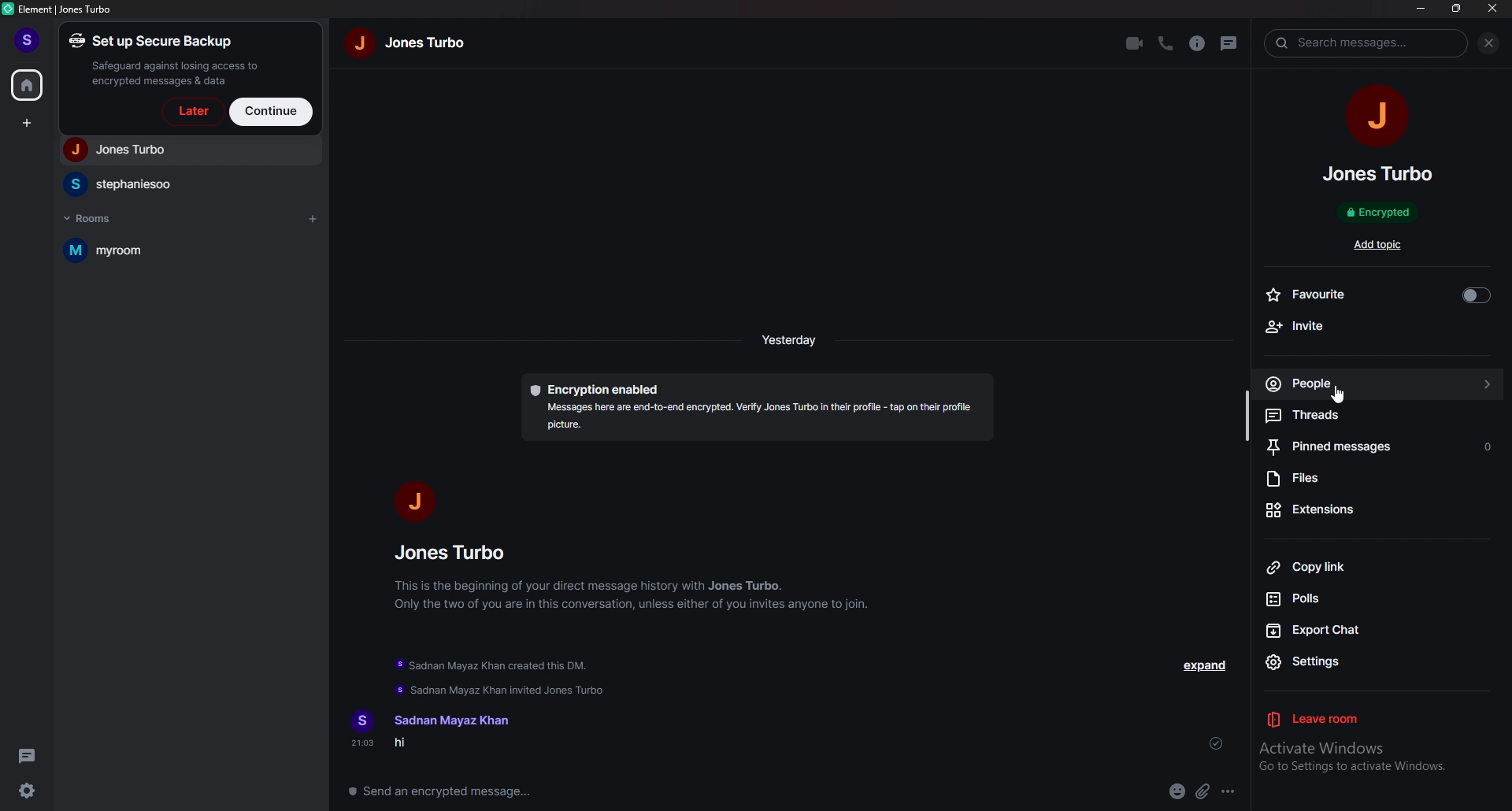  What do you see at coordinates (60, 9) in the screenshot?
I see `element` at bounding box center [60, 9].